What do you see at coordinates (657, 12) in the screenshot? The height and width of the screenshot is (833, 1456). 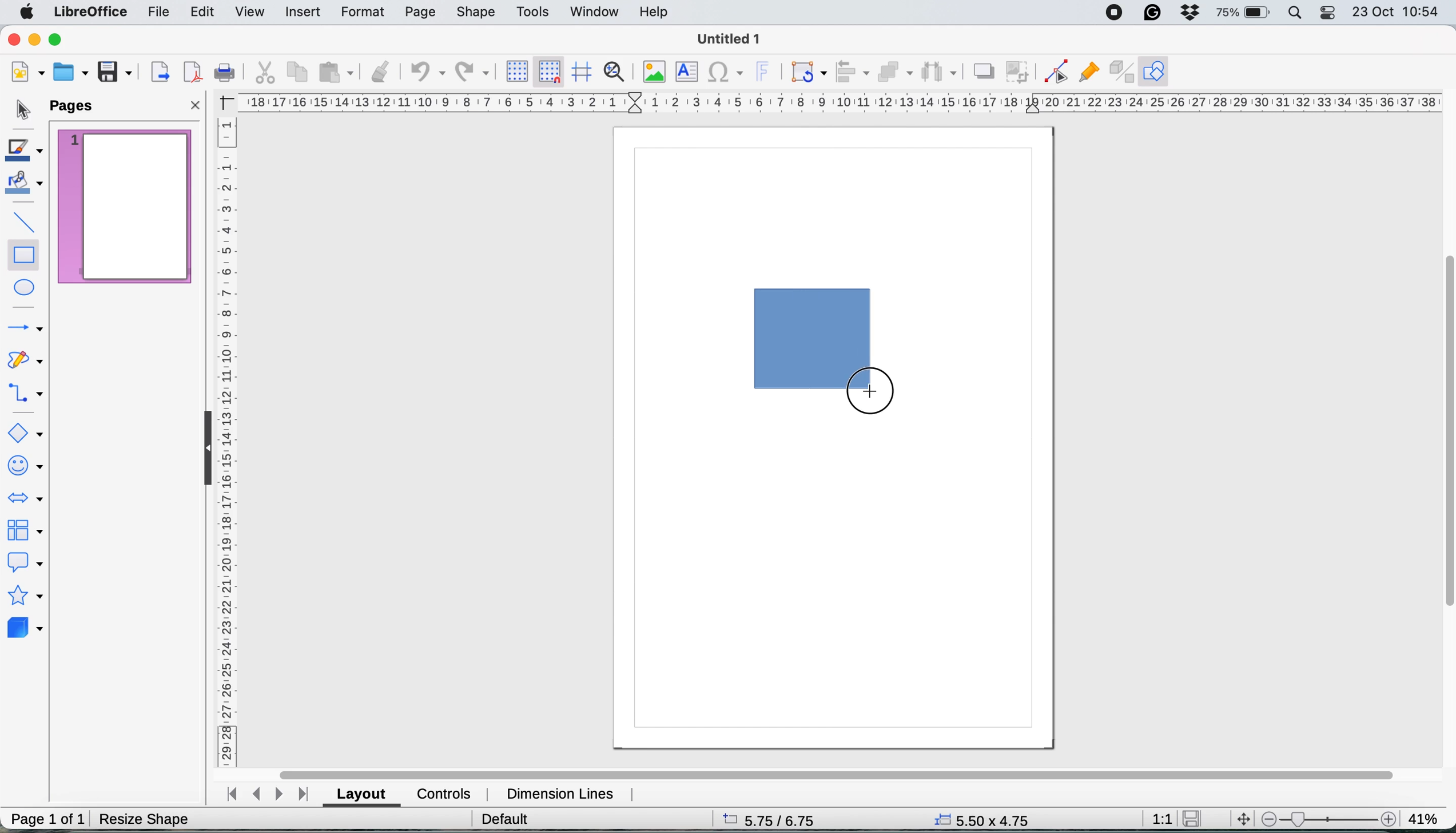 I see `help` at bounding box center [657, 12].